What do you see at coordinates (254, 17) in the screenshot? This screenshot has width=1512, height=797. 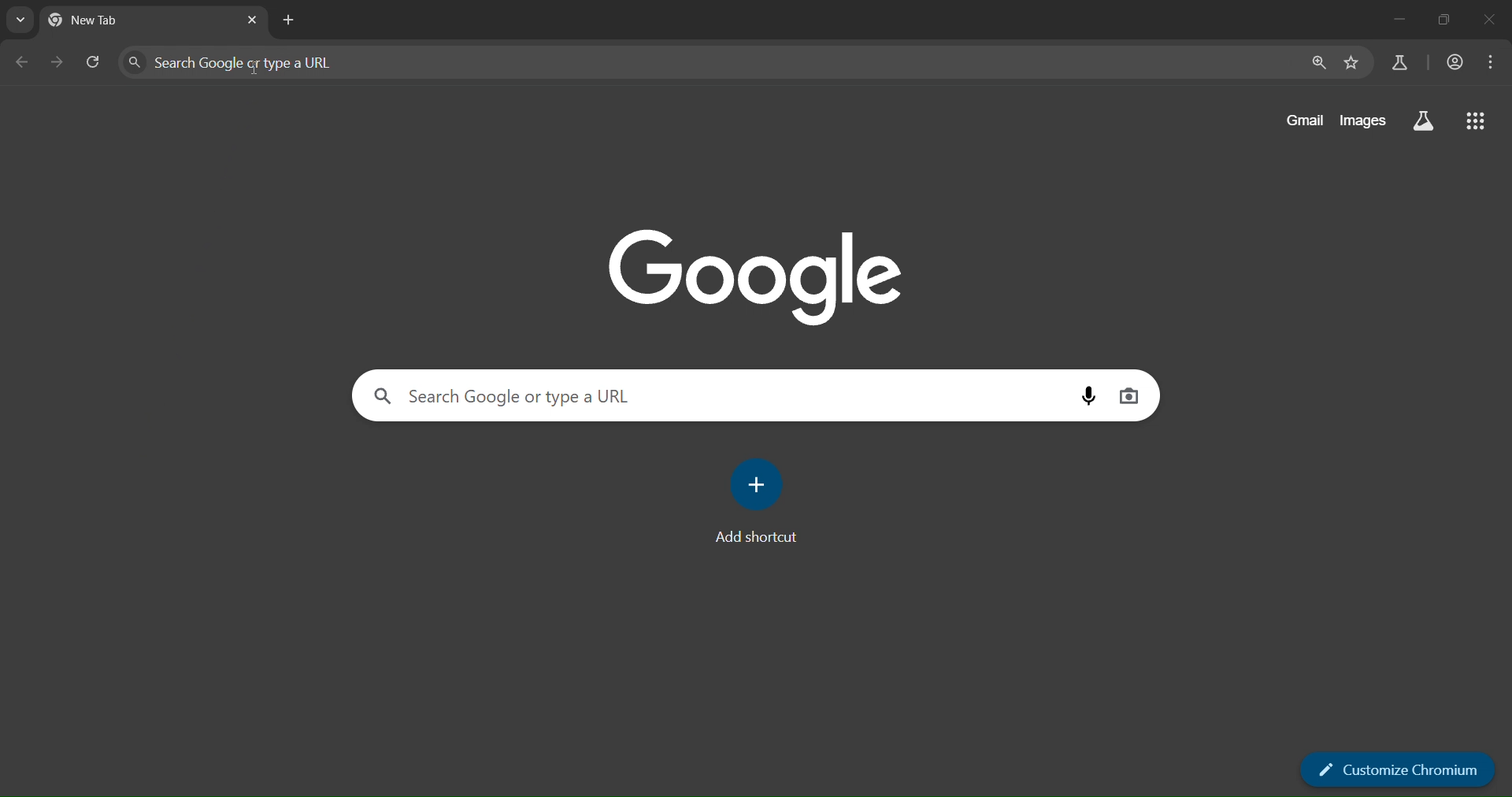 I see `close tab` at bounding box center [254, 17].